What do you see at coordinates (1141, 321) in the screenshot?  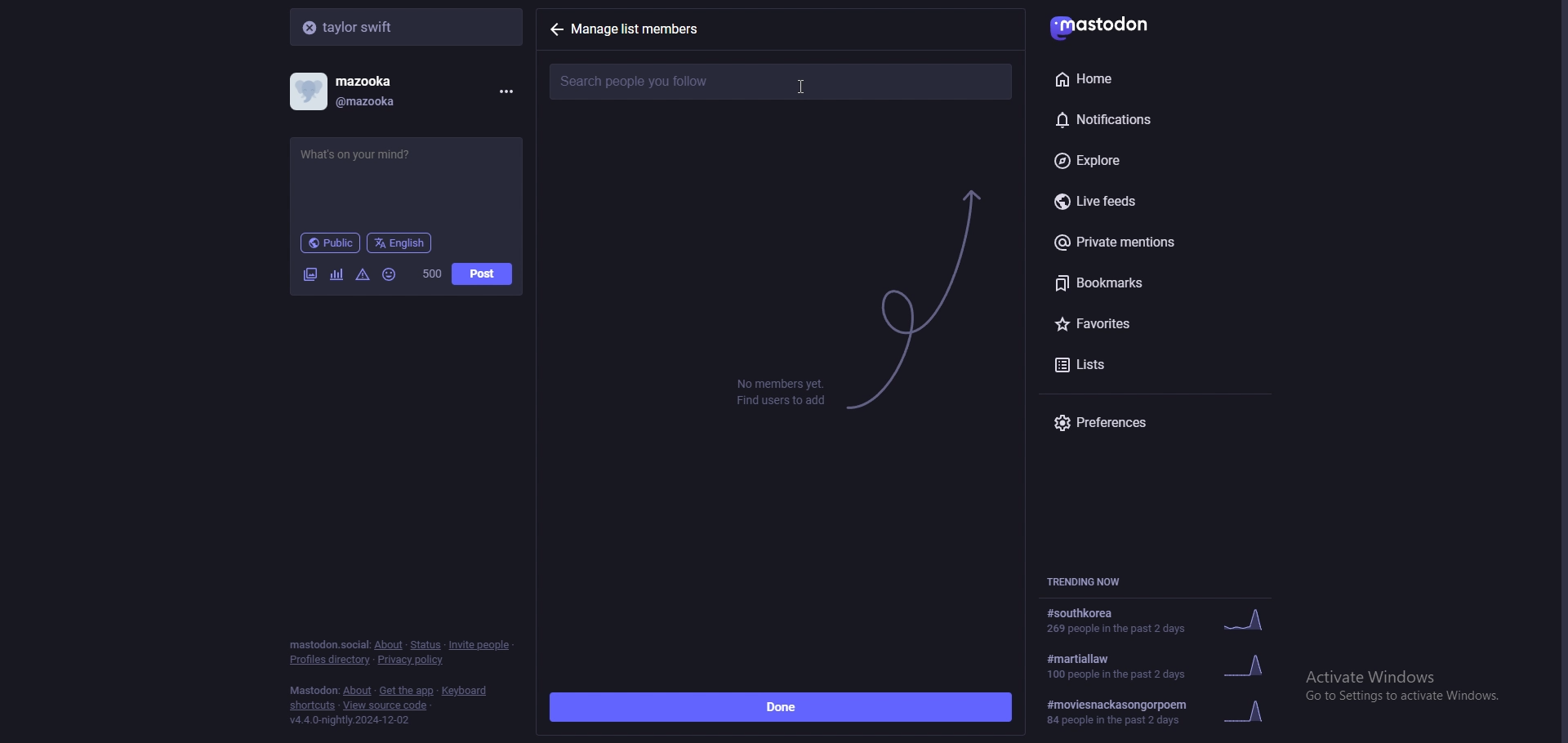 I see `favourites` at bounding box center [1141, 321].